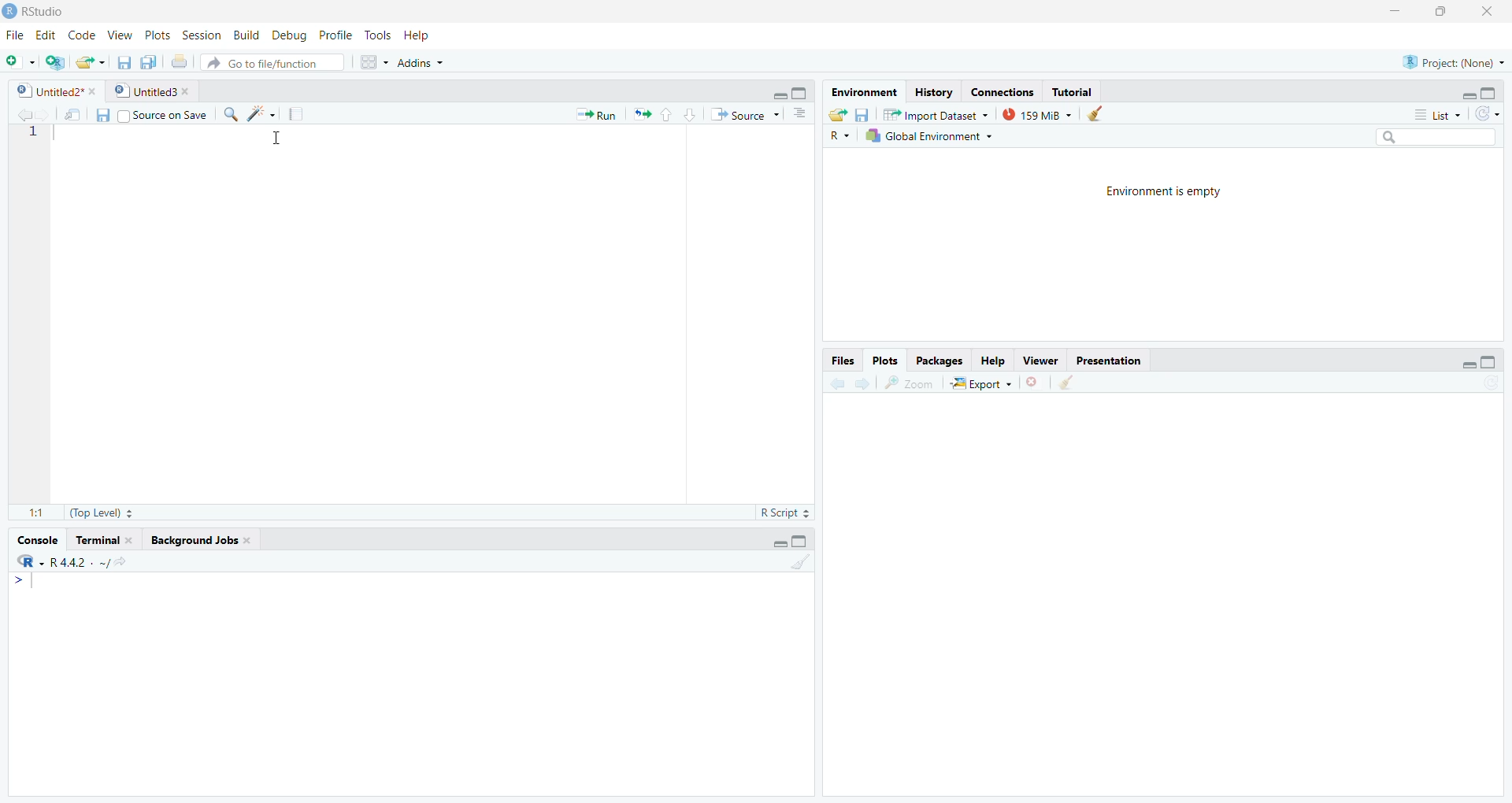 Image resolution: width=1512 pixels, height=803 pixels. What do you see at coordinates (55, 64) in the screenshot?
I see `Create a project` at bounding box center [55, 64].